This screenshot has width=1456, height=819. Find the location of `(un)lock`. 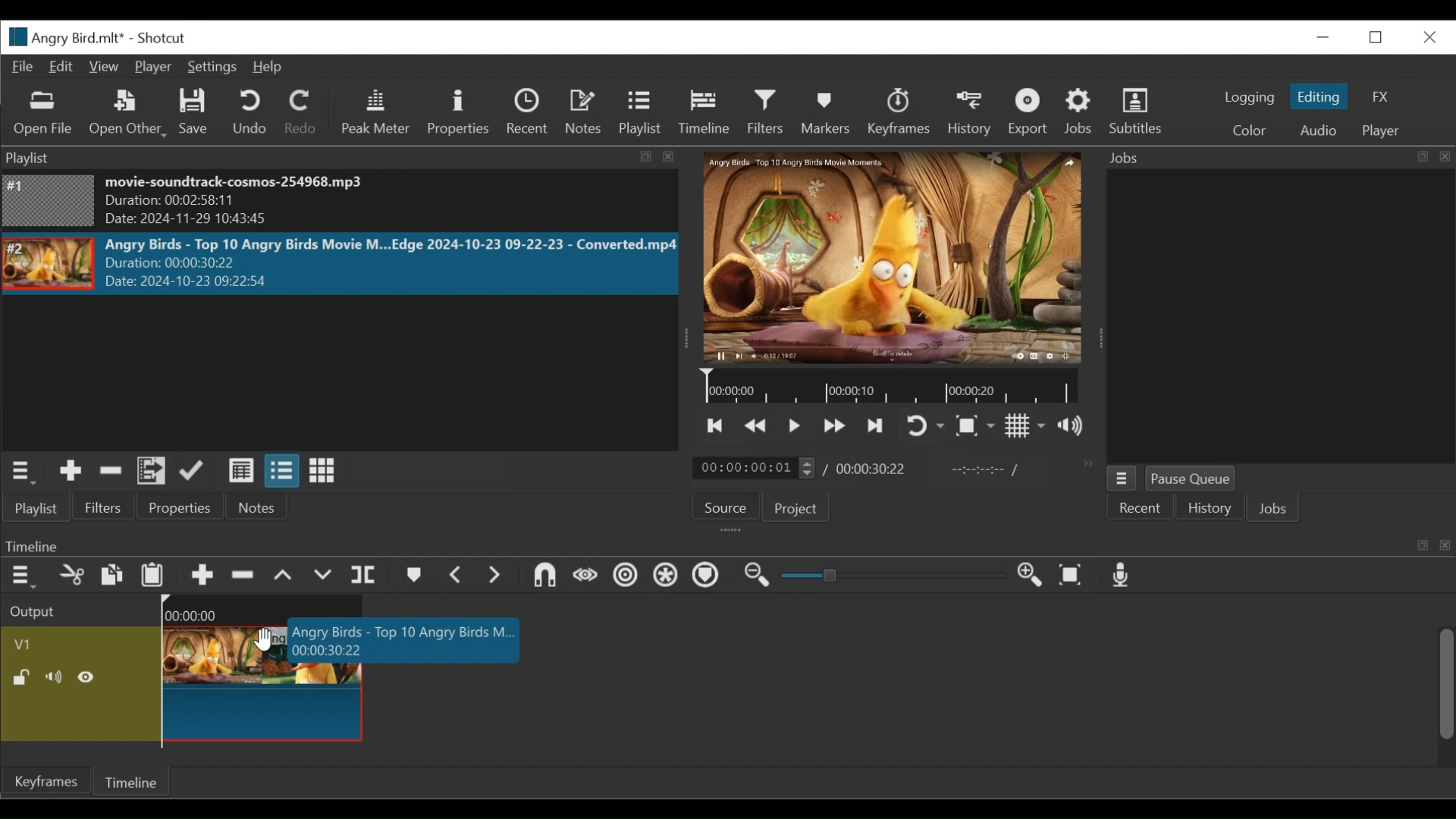

(un)lock is located at coordinates (21, 676).